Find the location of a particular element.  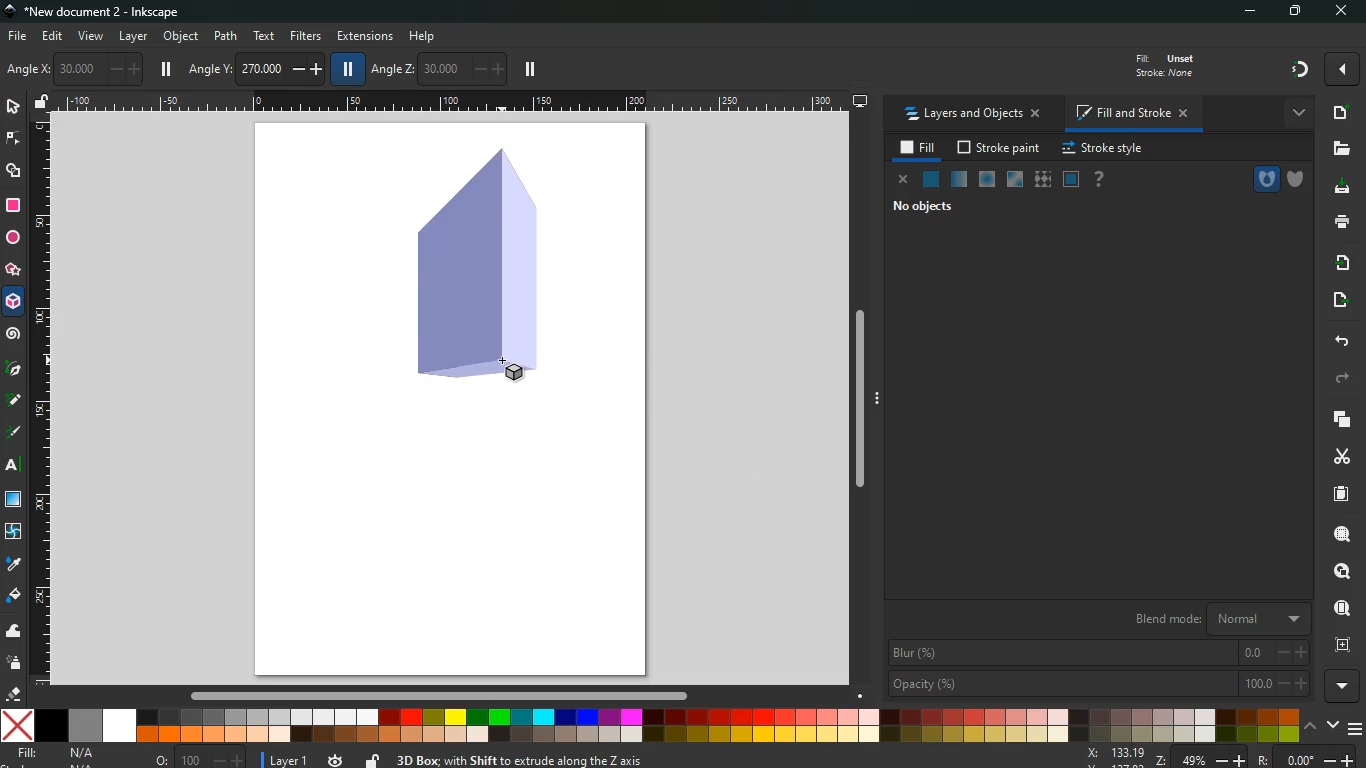

frame is located at coordinates (1340, 645).